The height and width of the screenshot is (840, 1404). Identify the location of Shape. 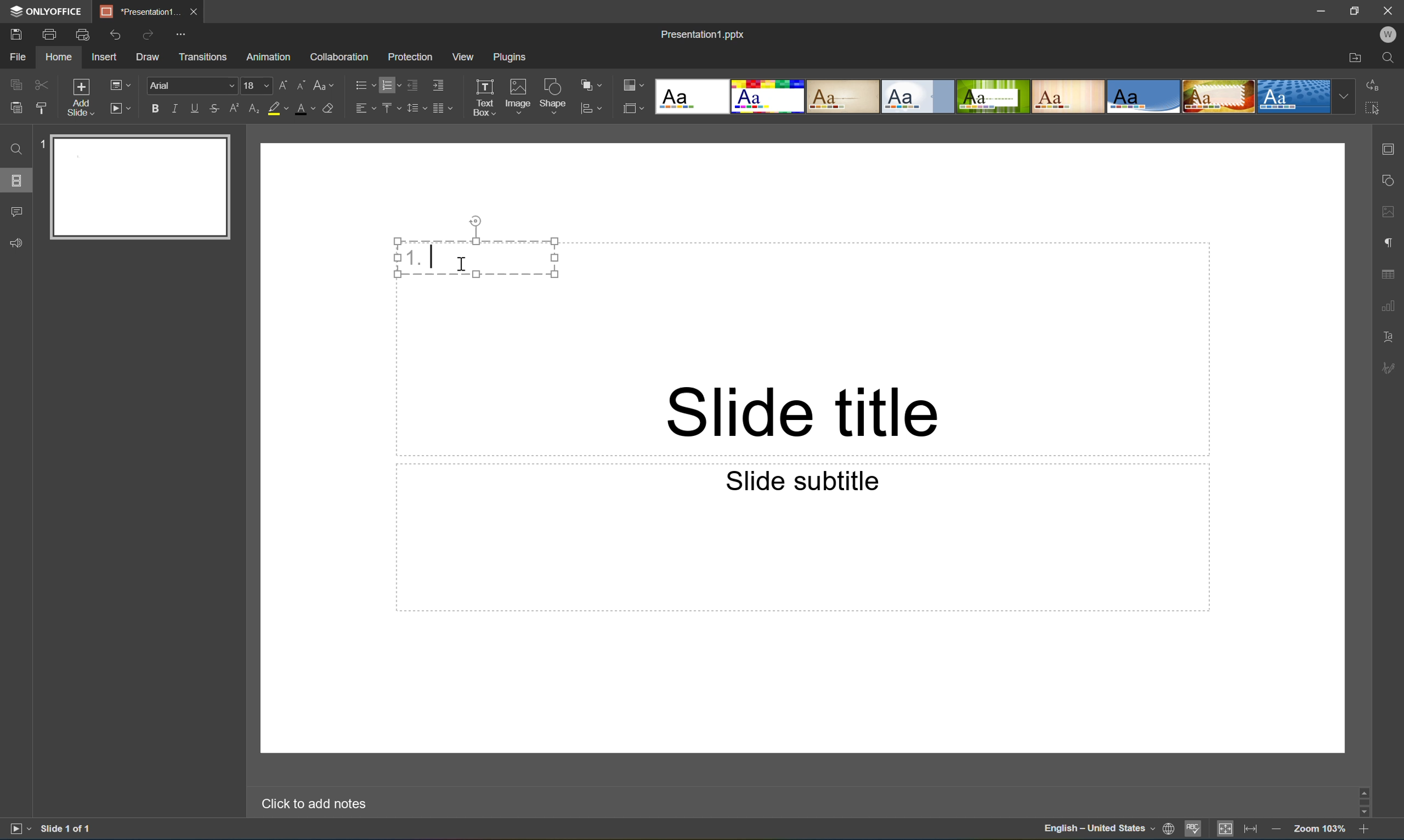
(555, 97).